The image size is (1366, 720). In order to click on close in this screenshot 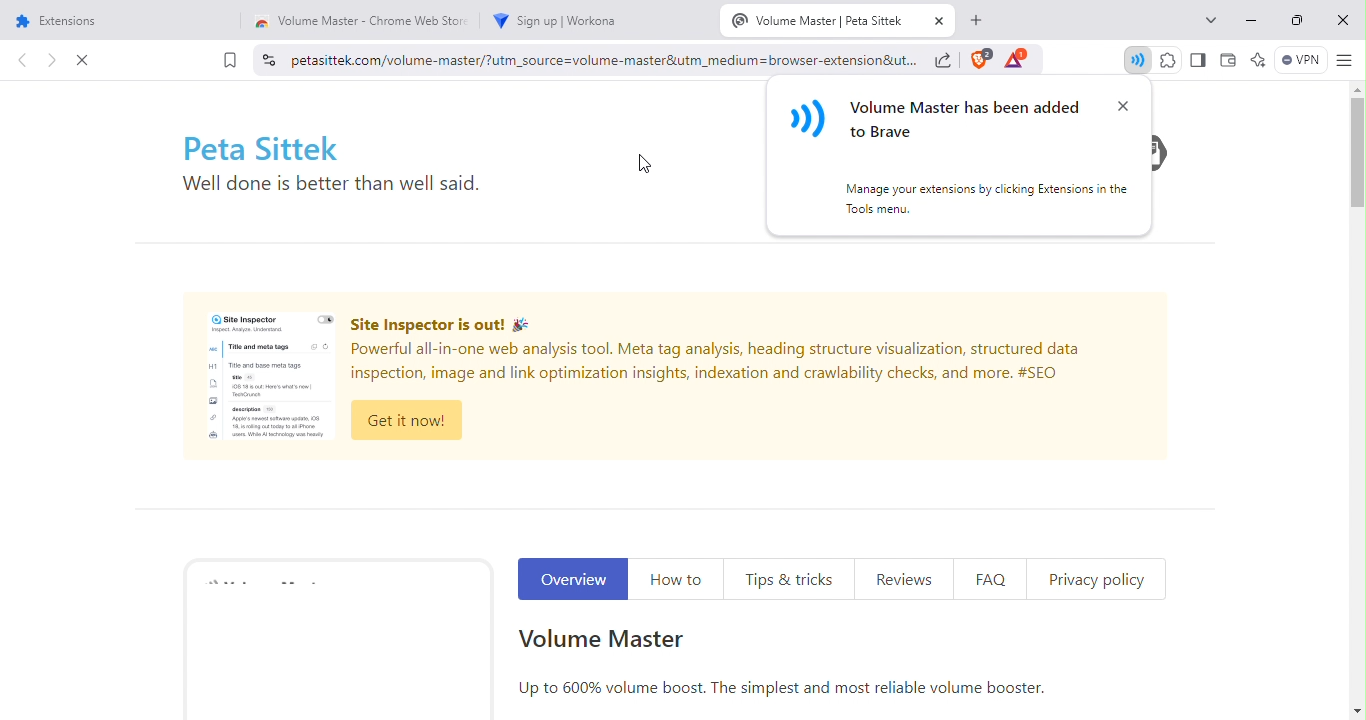, I will do `click(81, 57)`.